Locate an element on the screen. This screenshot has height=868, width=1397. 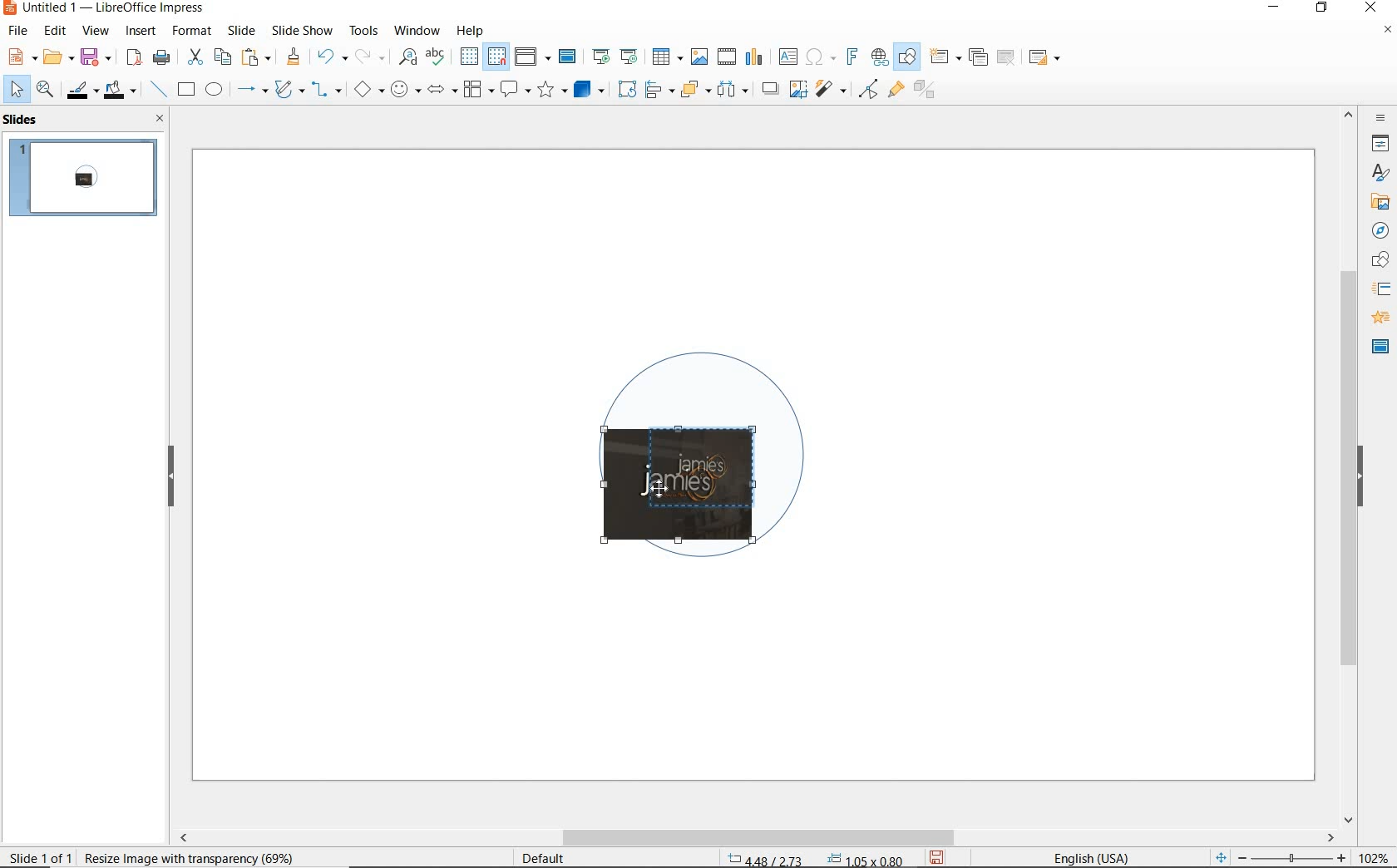
slide is located at coordinates (241, 31).